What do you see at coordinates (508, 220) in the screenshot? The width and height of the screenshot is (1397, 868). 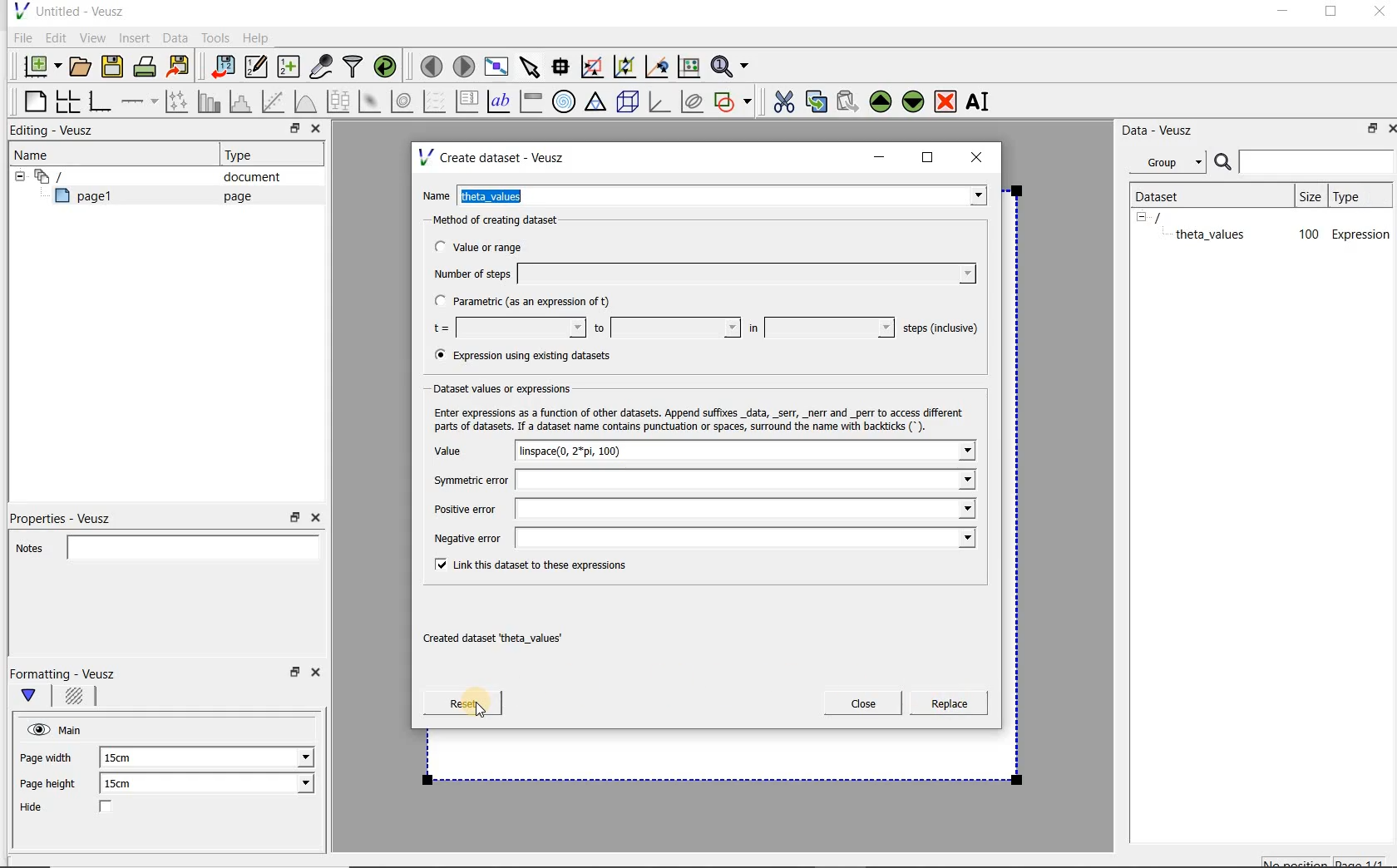 I see `Method of creating dataset:` at bounding box center [508, 220].